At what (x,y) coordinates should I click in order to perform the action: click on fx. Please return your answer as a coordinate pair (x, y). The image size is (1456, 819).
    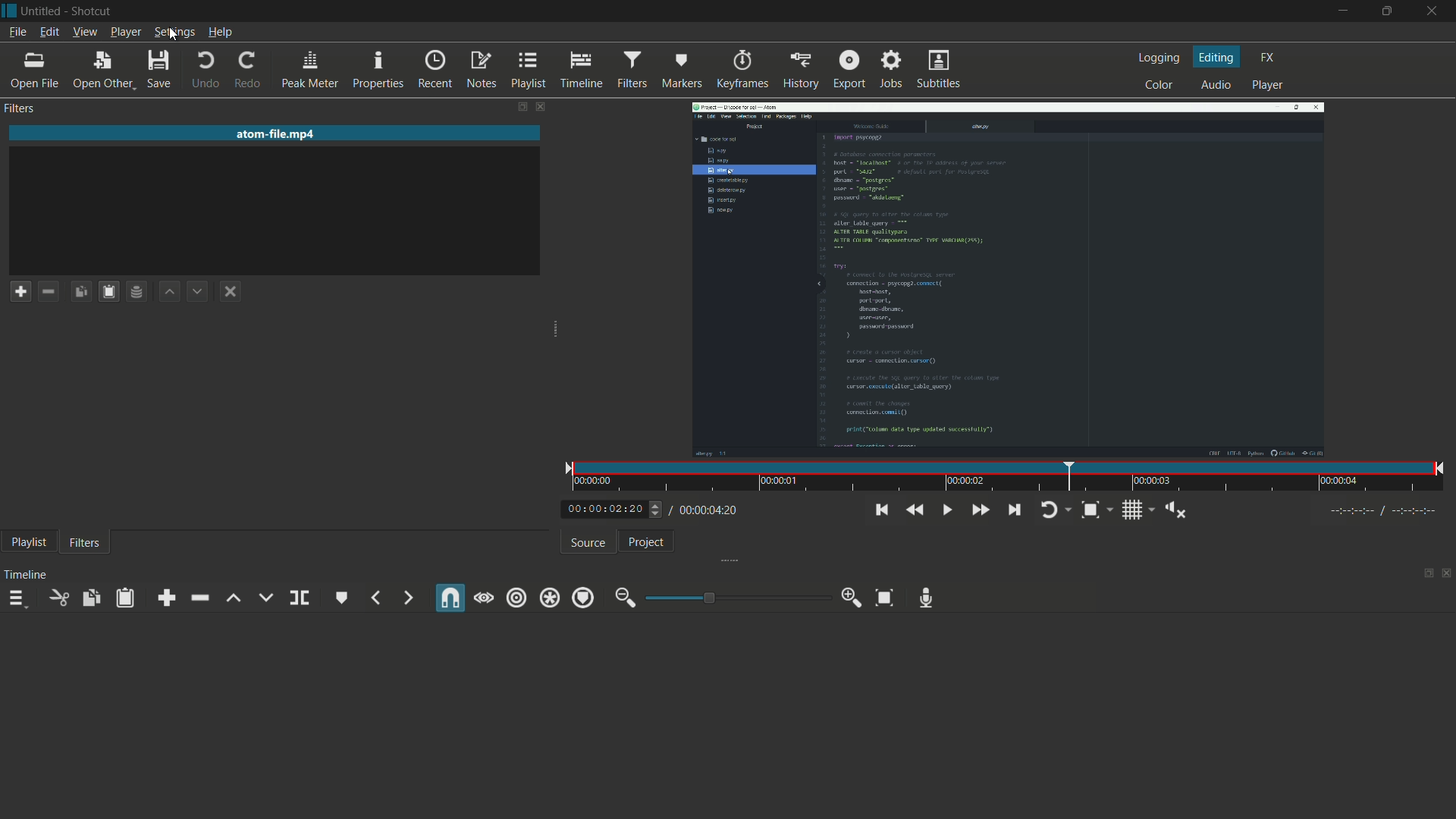
    Looking at the image, I should click on (1269, 57).